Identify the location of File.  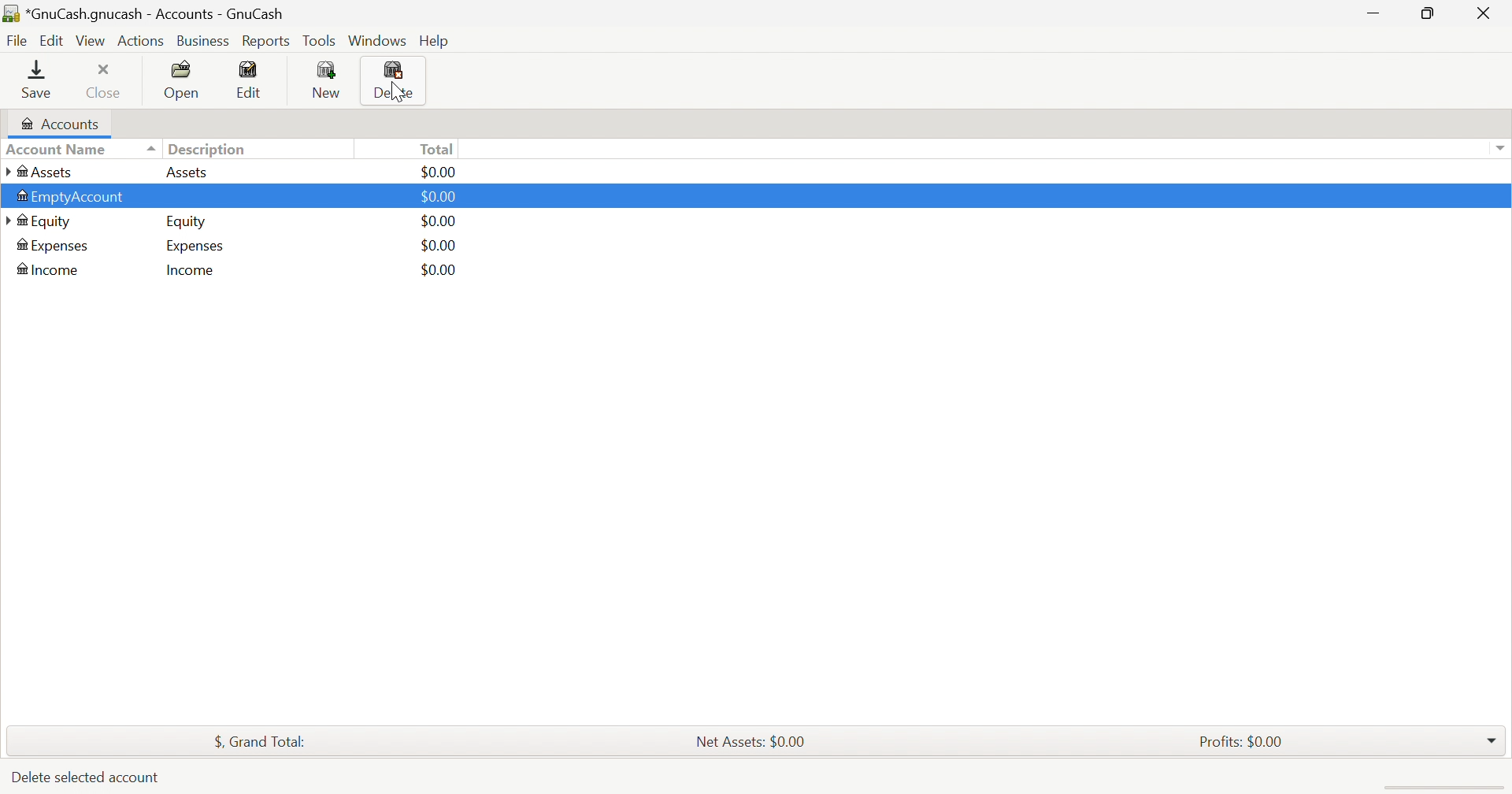
(20, 42).